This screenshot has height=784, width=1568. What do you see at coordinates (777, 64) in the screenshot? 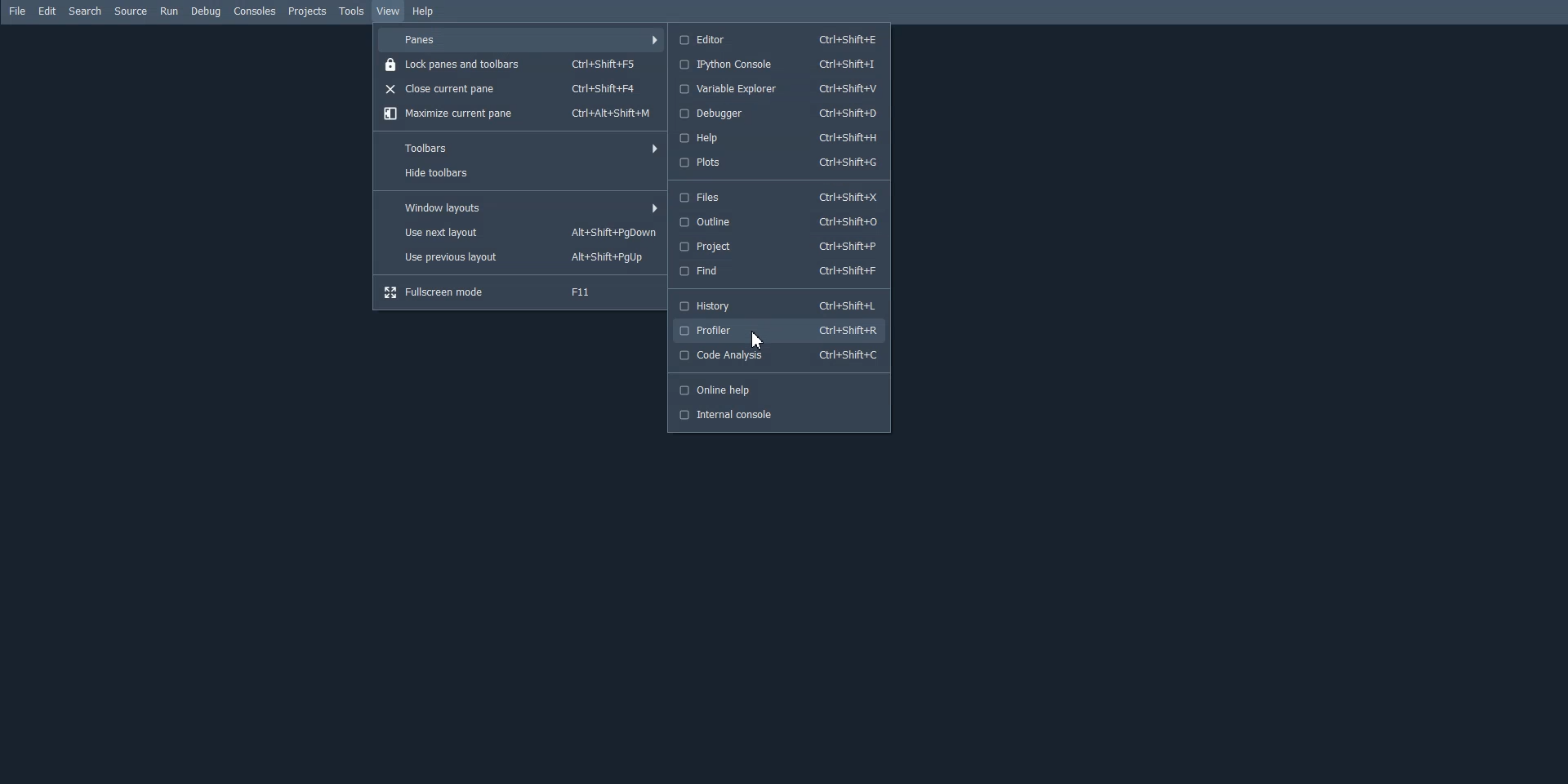
I see `Ipython console` at bounding box center [777, 64].